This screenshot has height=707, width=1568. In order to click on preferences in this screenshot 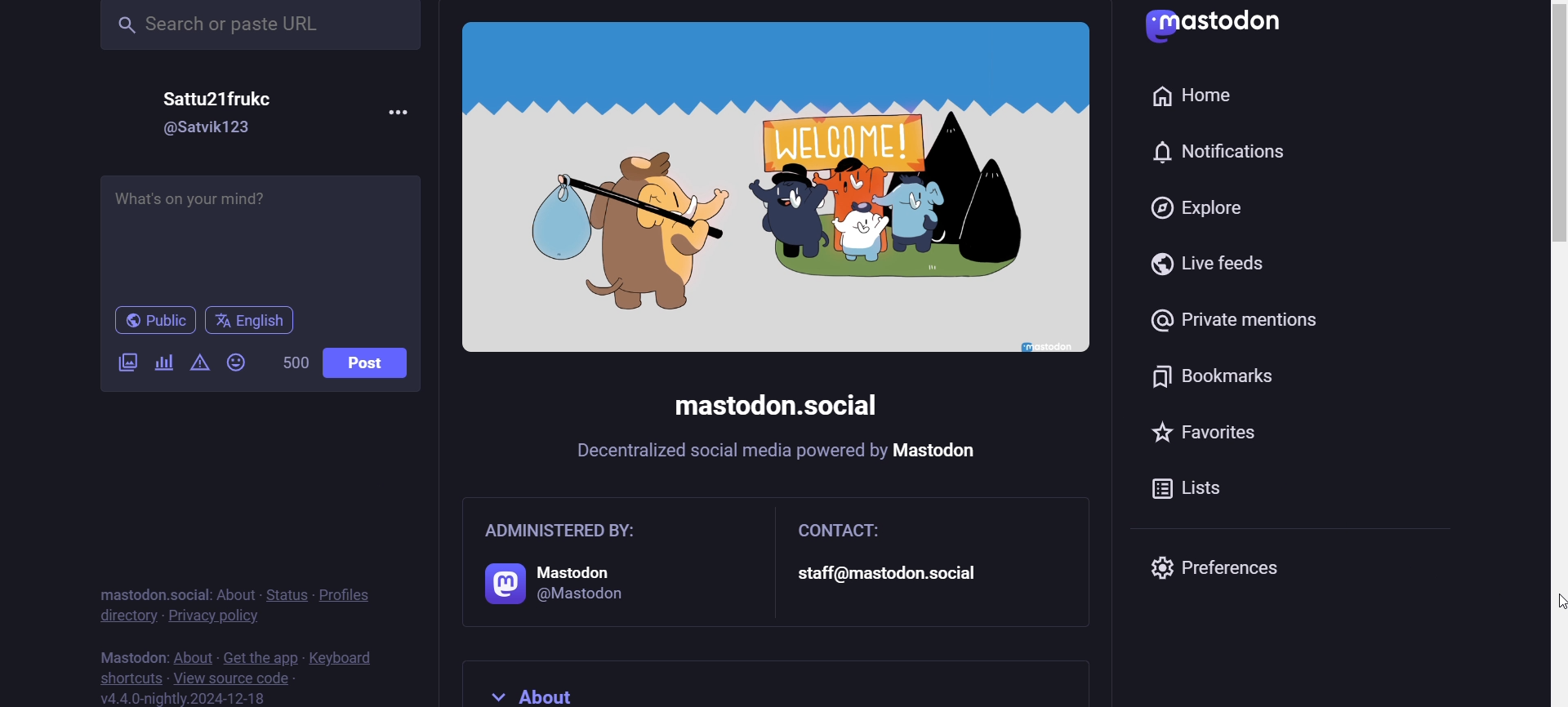, I will do `click(1241, 574)`.